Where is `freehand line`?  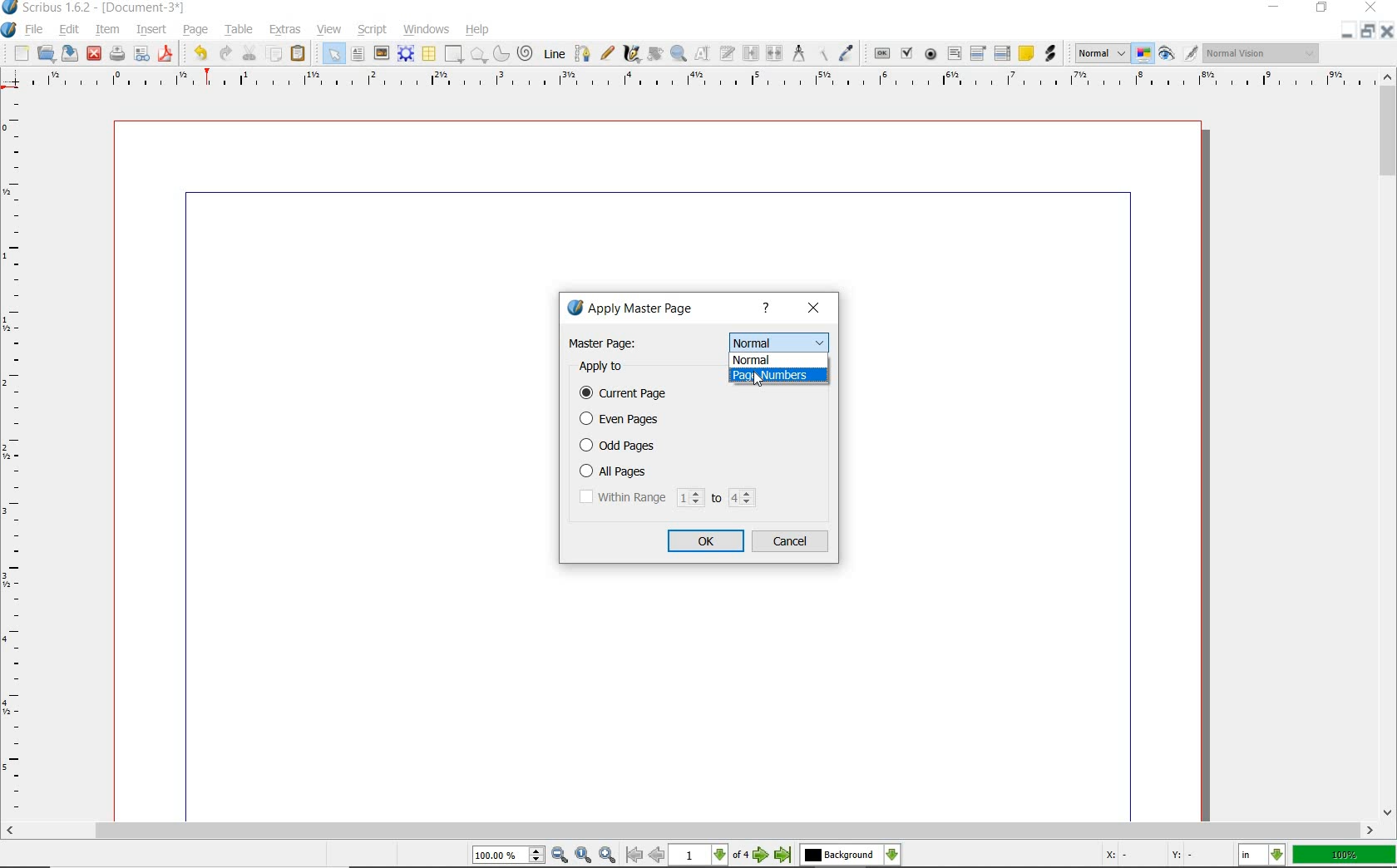
freehand line is located at coordinates (607, 53).